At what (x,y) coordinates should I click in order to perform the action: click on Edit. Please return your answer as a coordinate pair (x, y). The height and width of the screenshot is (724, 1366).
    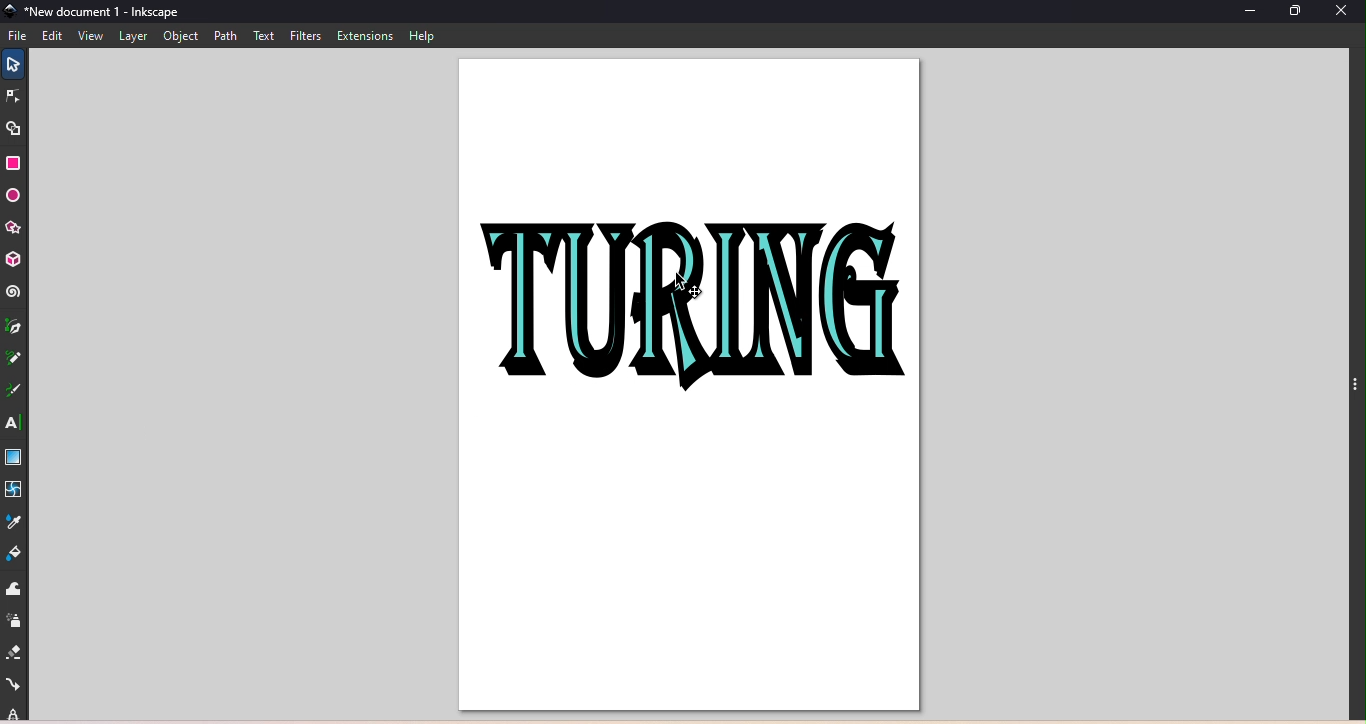
    Looking at the image, I should click on (52, 36).